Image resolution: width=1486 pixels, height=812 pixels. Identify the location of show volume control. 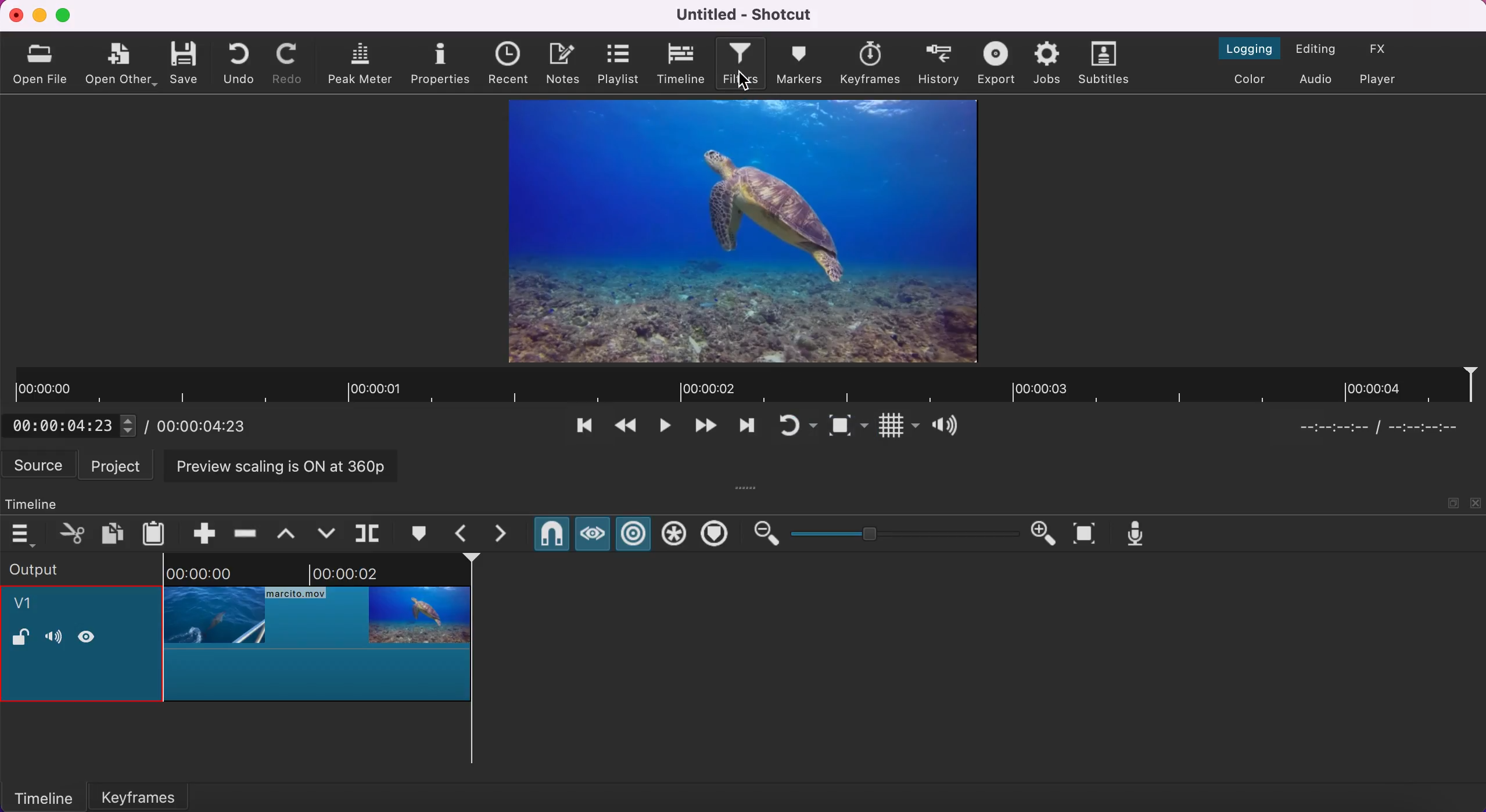
(949, 427).